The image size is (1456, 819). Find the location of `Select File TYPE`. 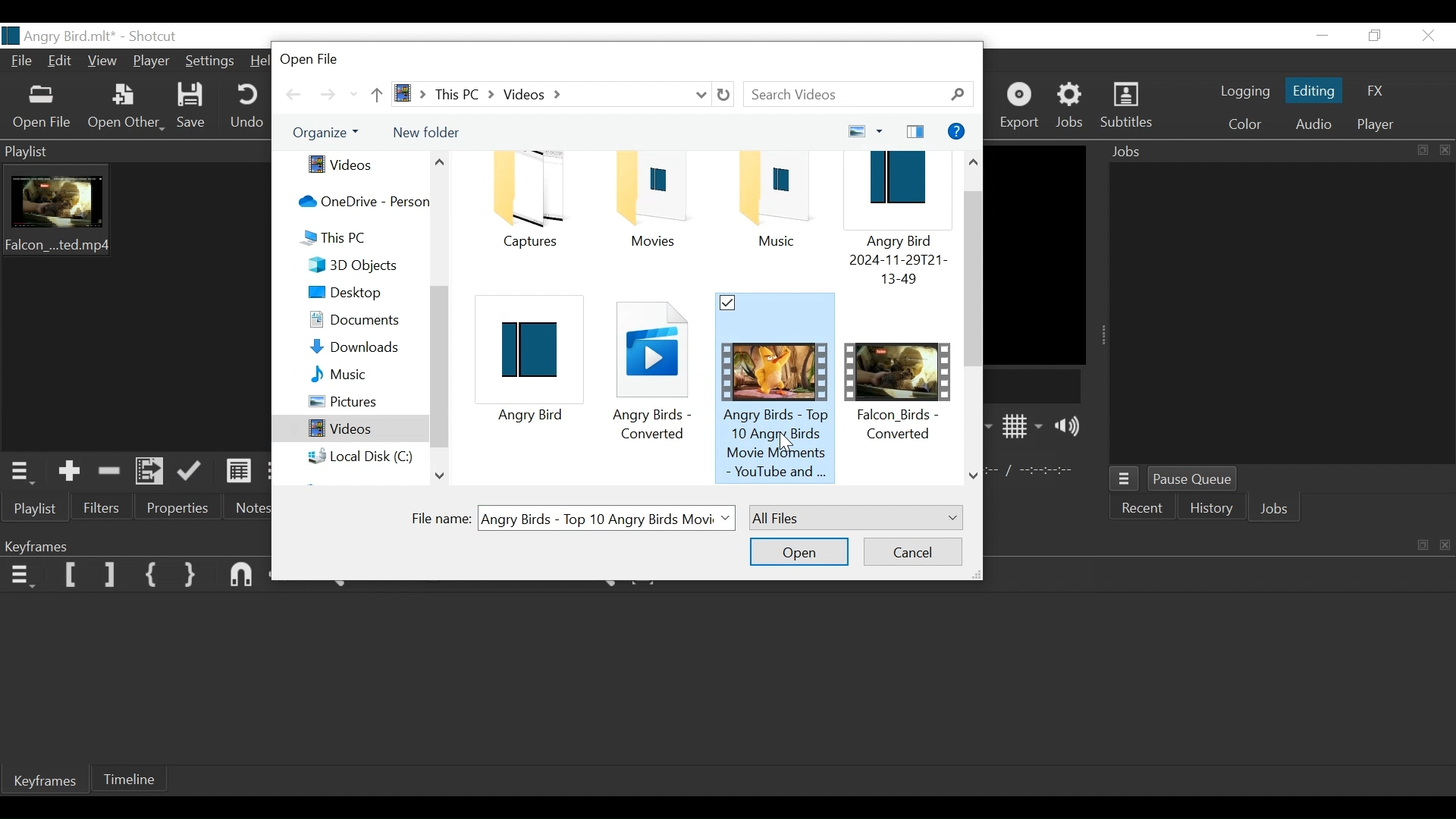

Select File TYPE is located at coordinates (858, 516).